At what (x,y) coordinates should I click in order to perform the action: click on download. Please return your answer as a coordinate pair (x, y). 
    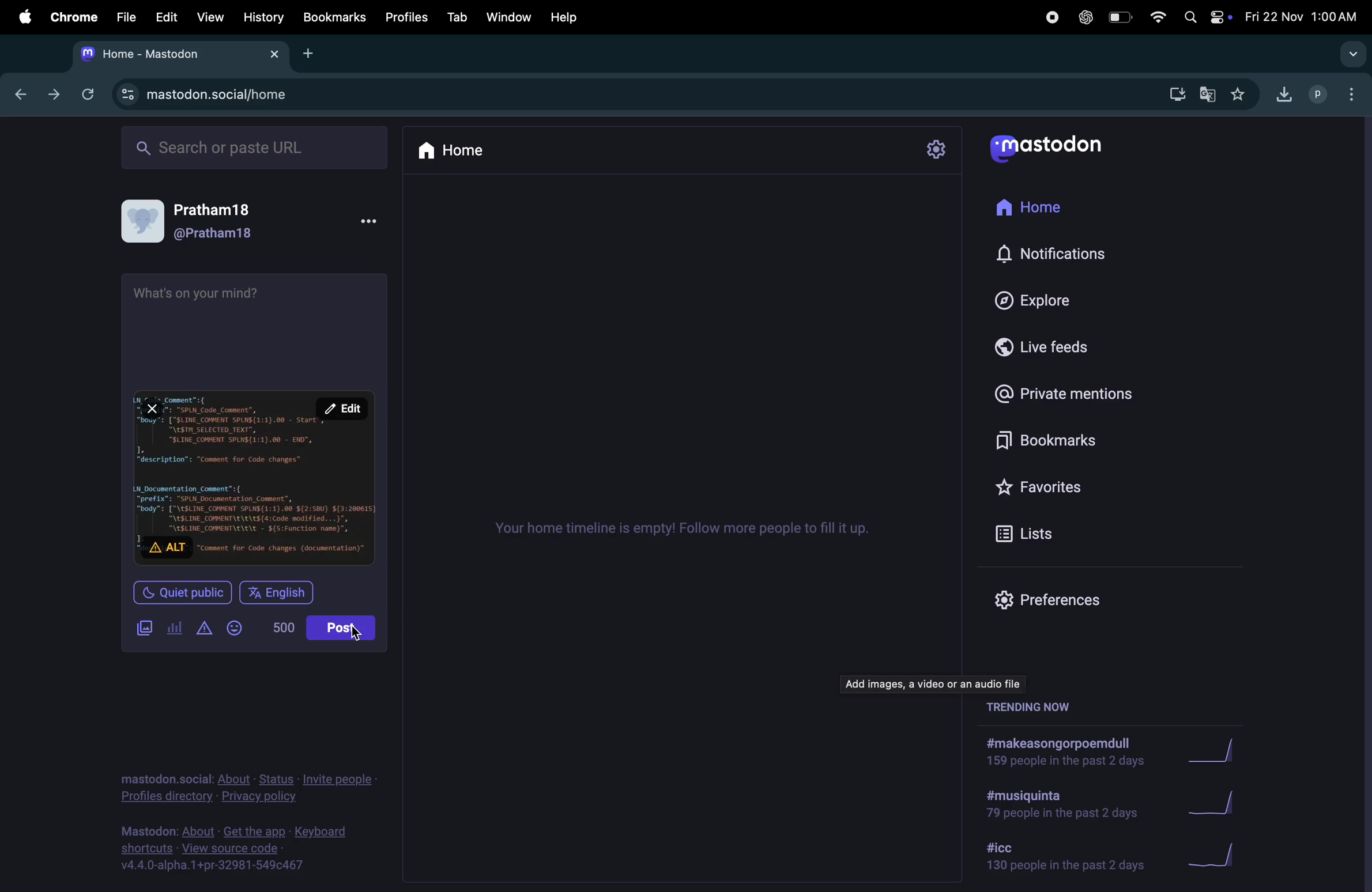
    Looking at the image, I should click on (1281, 95).